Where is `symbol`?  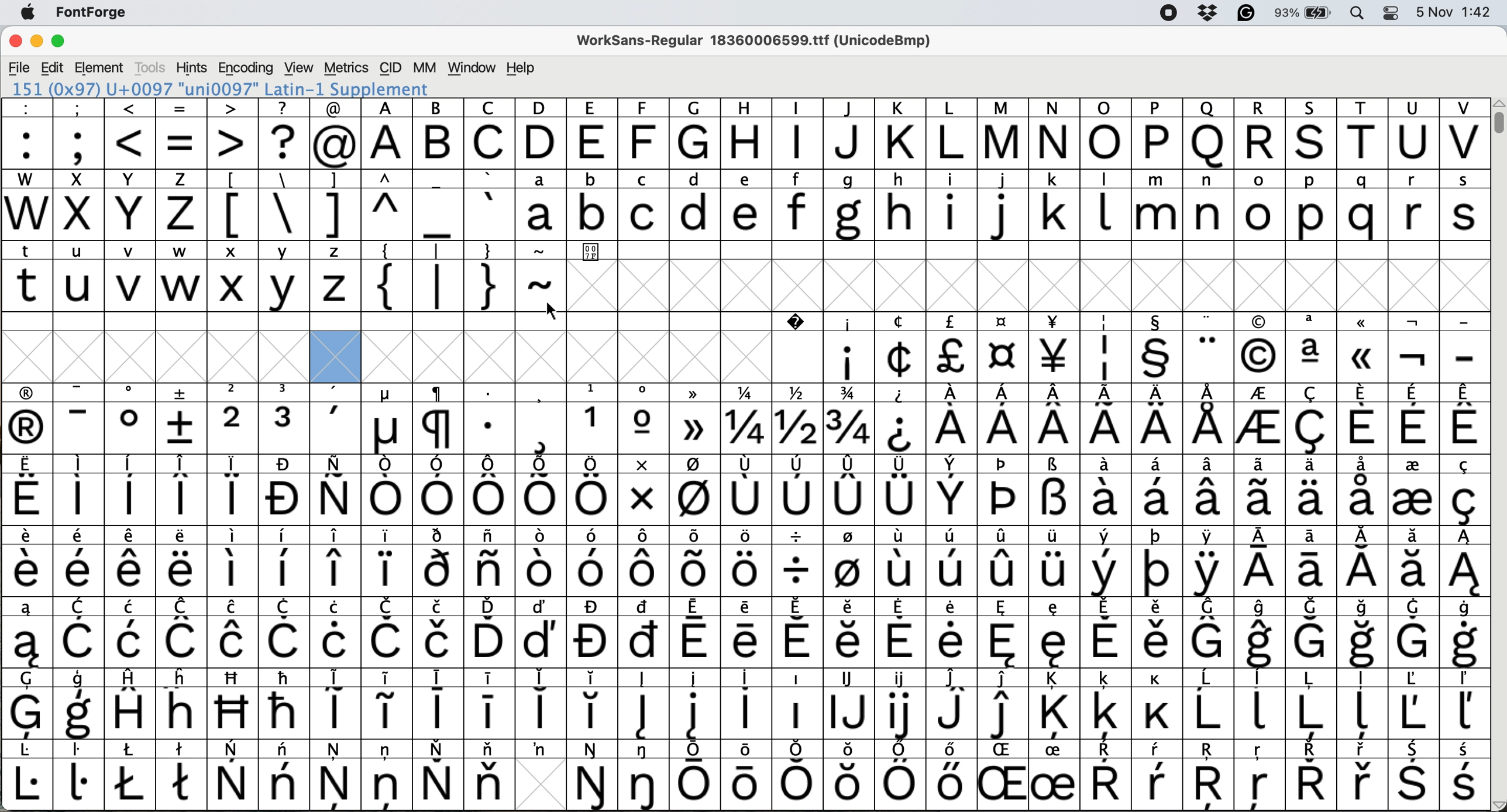 symbol is located at coordinates (1004, 632).